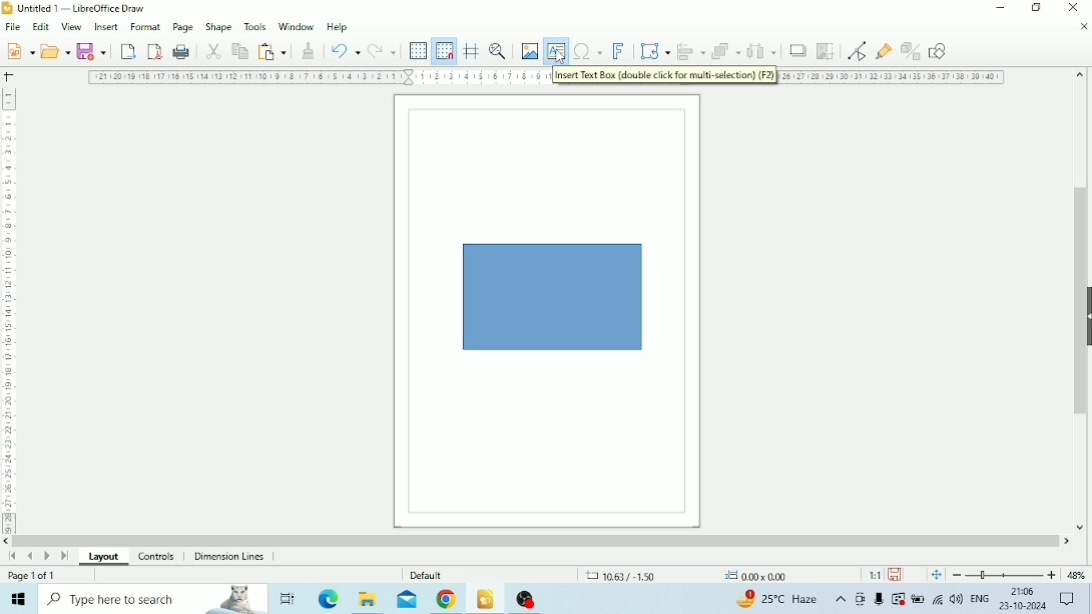 Image resolution: width=1092 pixels, height=614 pixels. What do you see at coordinates (20, 599) in the screenshot?
I see `Windows` at bounding box center [20, 599].